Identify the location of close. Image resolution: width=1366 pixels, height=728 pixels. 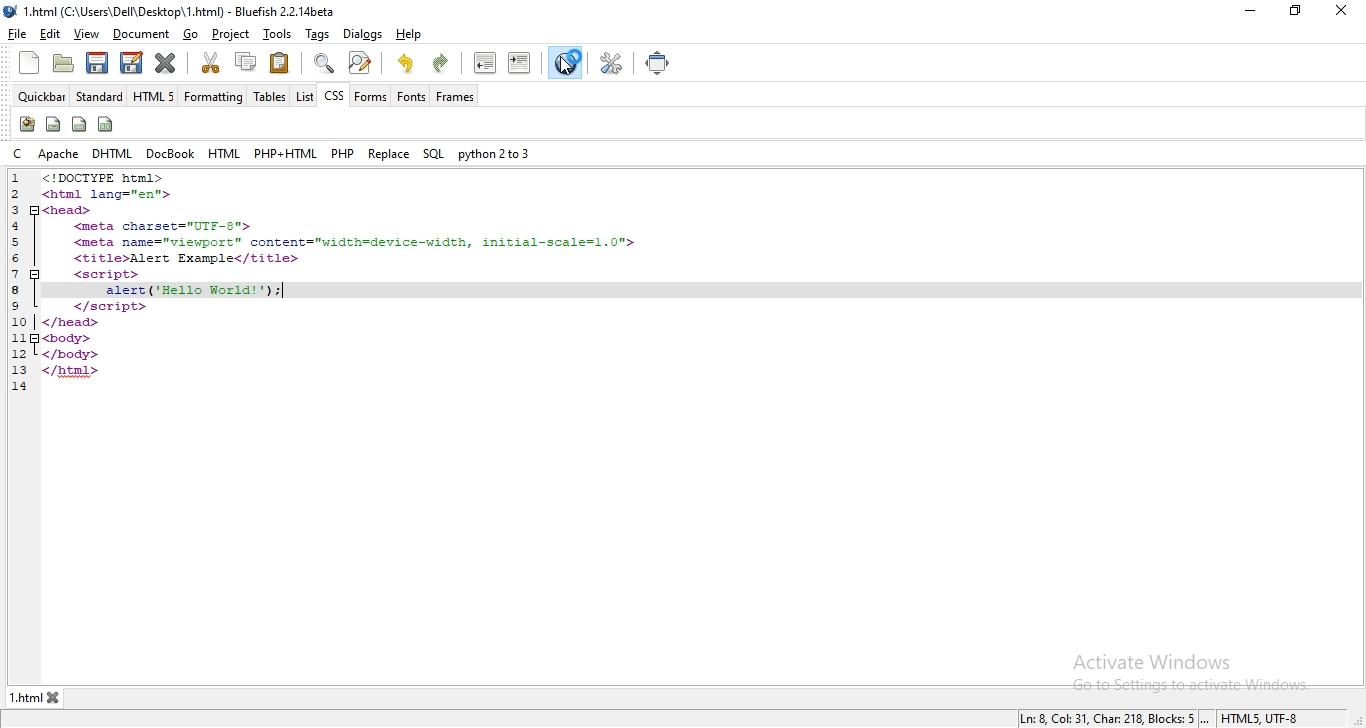
(164, 63).